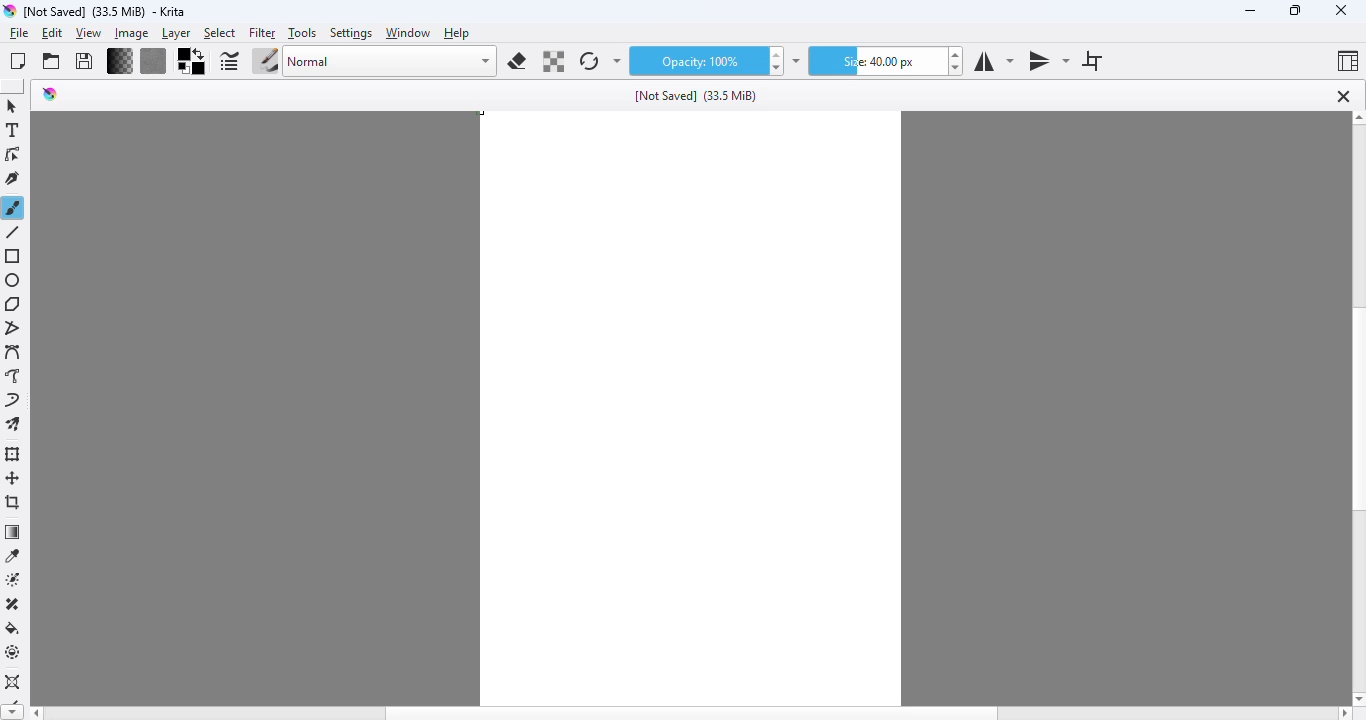 The height and width of the screenshot is (720, 1366). I want to click on save, so click(85, 61).